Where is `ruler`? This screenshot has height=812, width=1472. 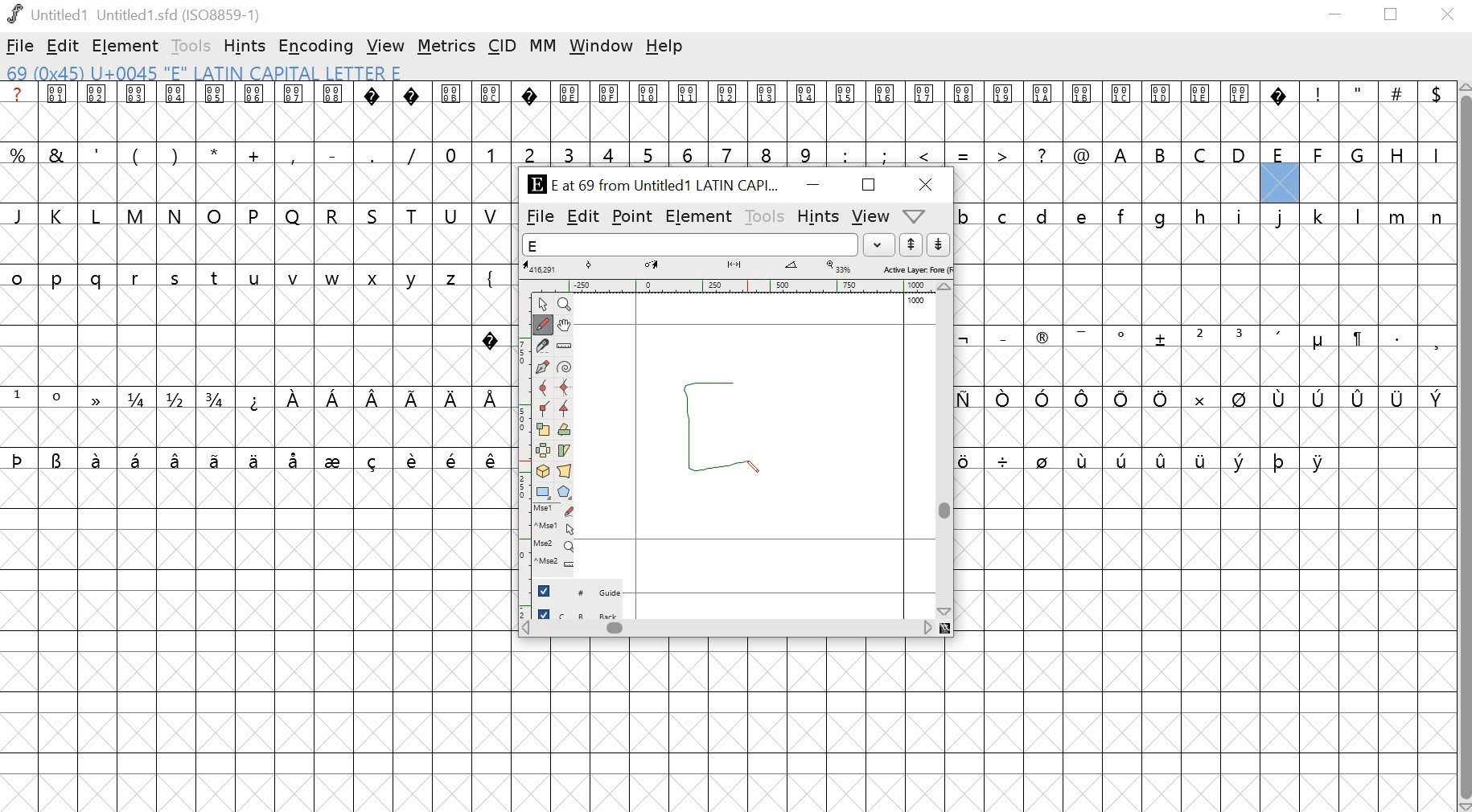 ruler is located at coordinates (731, 285).